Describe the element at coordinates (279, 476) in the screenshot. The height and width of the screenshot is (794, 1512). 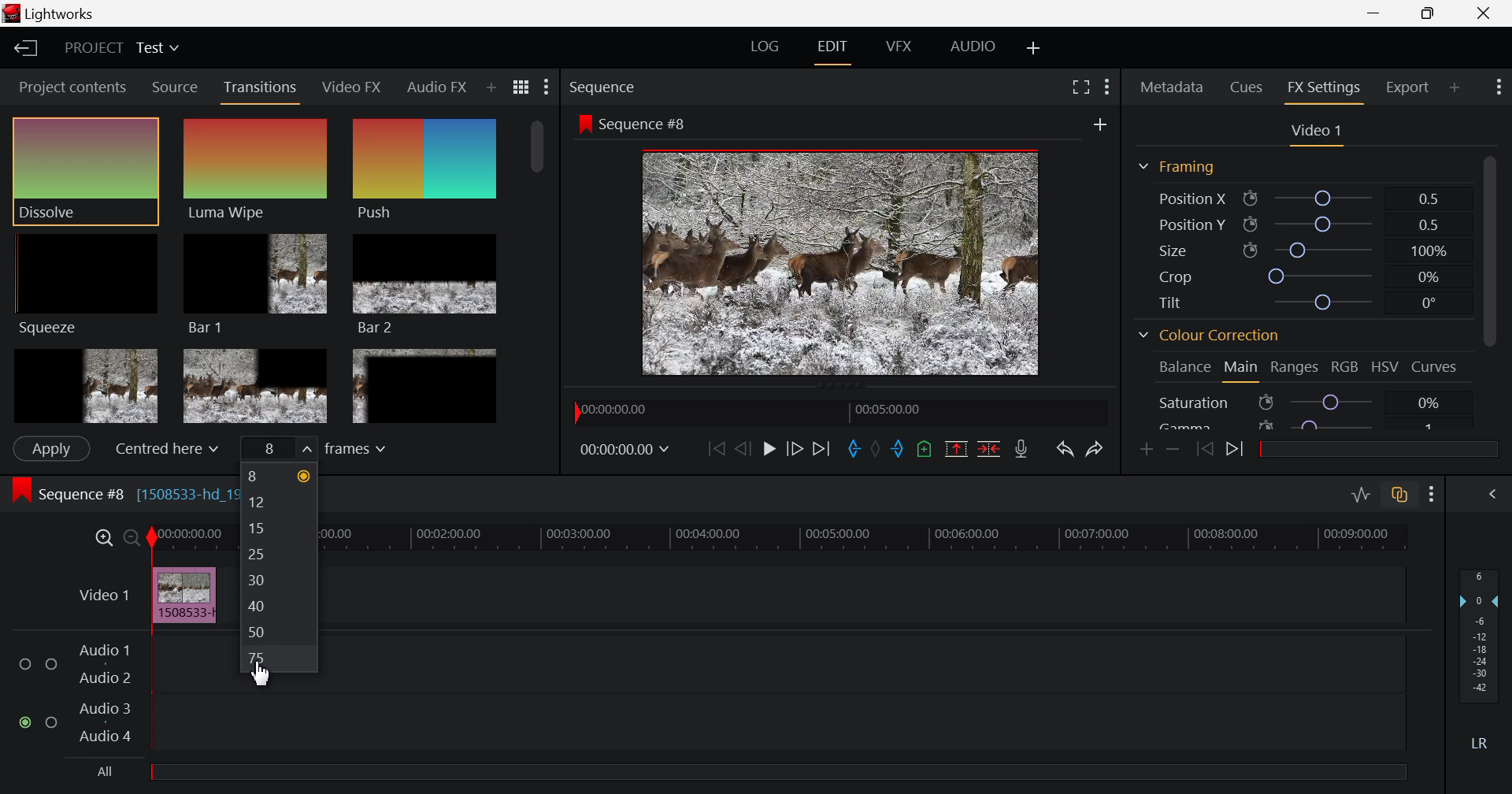
I see `8` at that location.